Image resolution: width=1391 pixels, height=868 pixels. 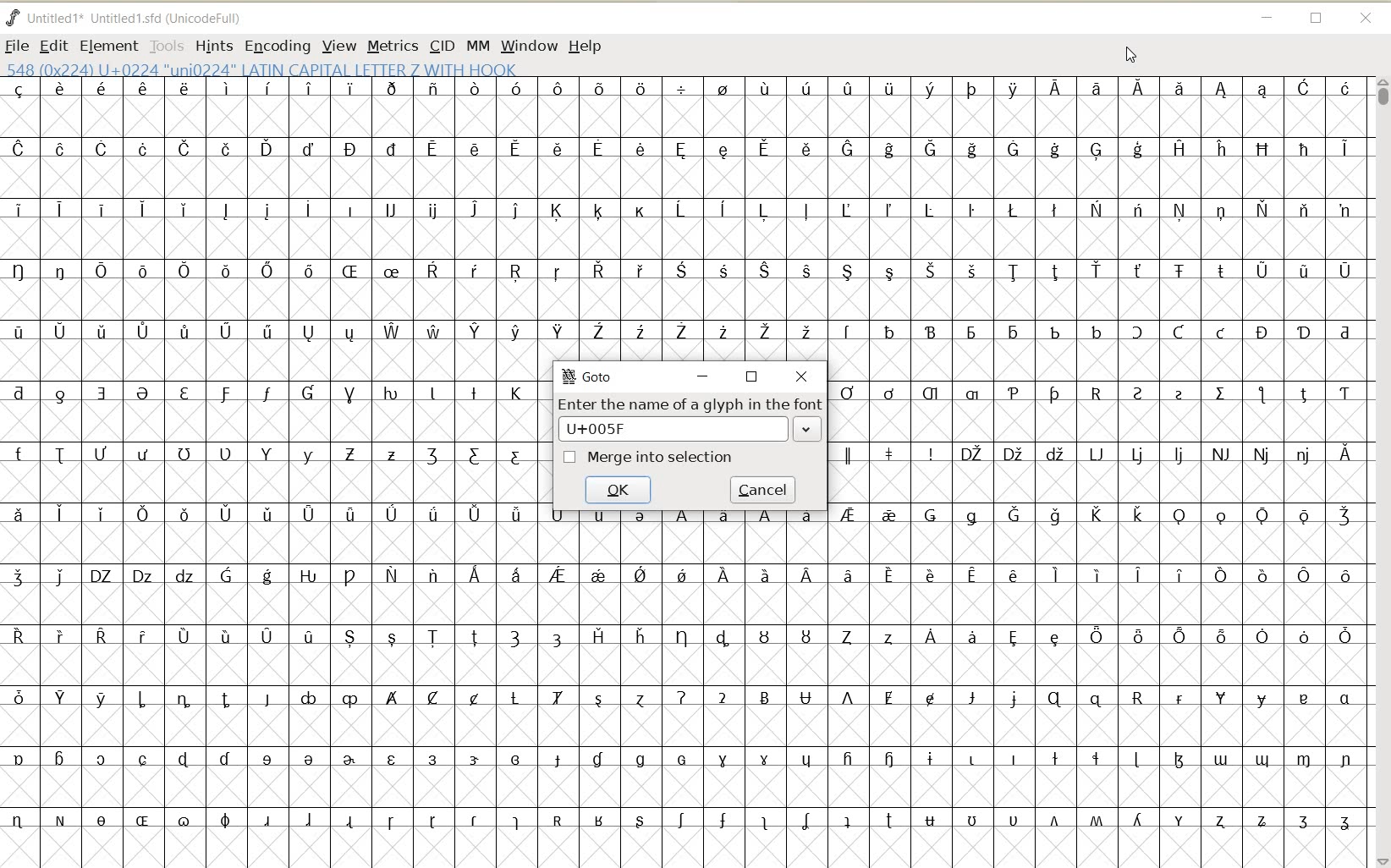 What do you see at coordinates (271, 464) in the screenshot?
I see `GLYPHY CHARACTERS` at bounding box center [271, 464].